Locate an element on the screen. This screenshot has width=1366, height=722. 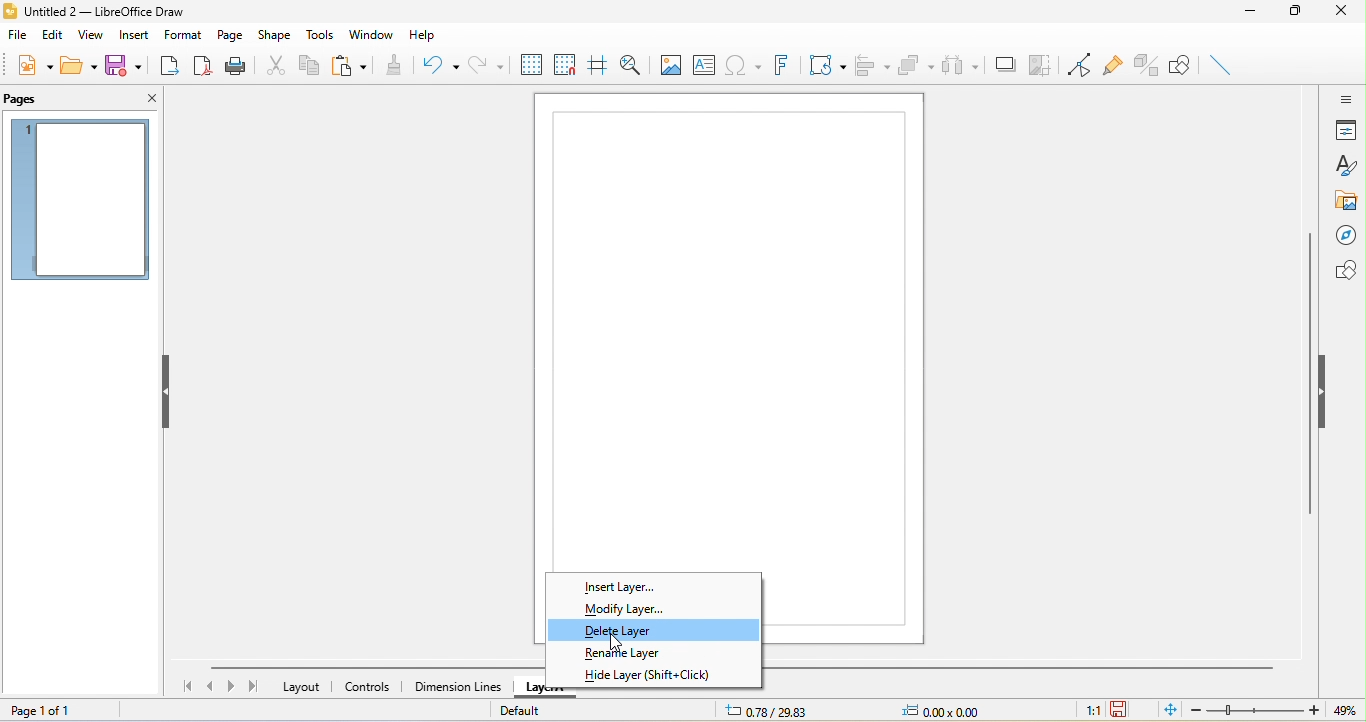
export directly as pdf is located at coordinates (202, 62).